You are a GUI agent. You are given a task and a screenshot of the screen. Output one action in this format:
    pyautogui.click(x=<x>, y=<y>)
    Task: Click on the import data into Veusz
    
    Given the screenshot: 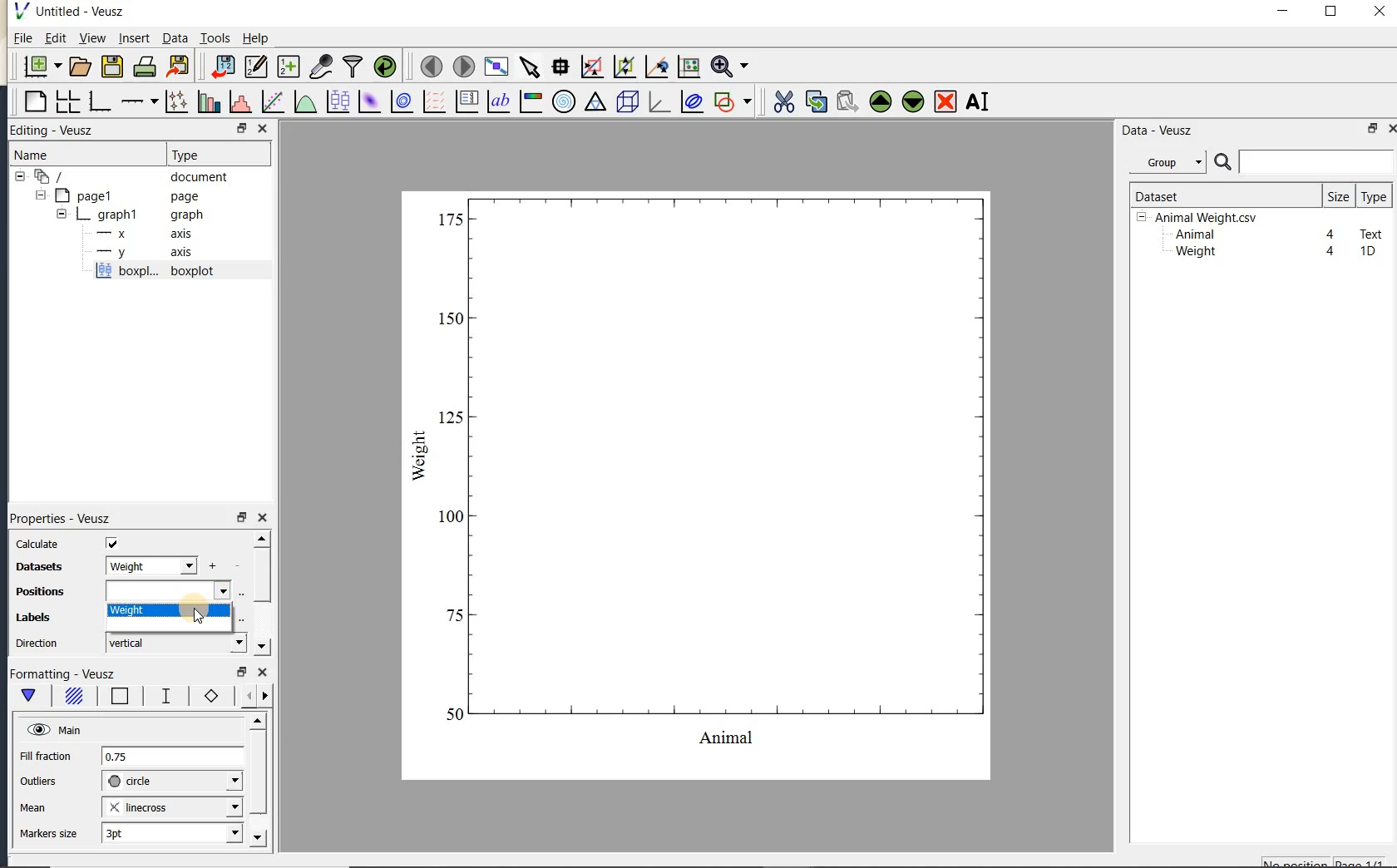 What is the action you would take?
    pyautogui.click(x=223, y=67)
    